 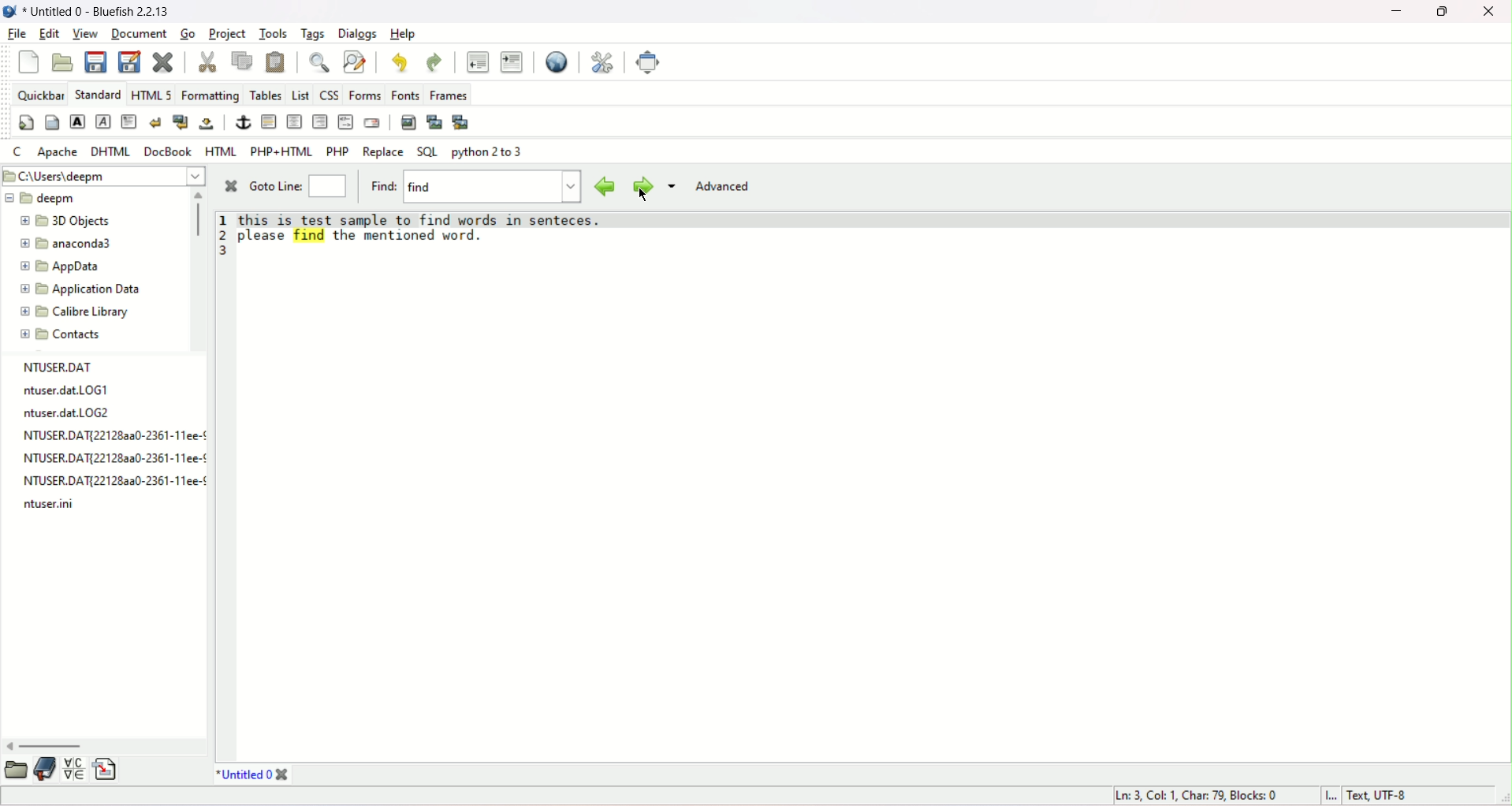 I want to click on insert file, so click(x=106, y=767).